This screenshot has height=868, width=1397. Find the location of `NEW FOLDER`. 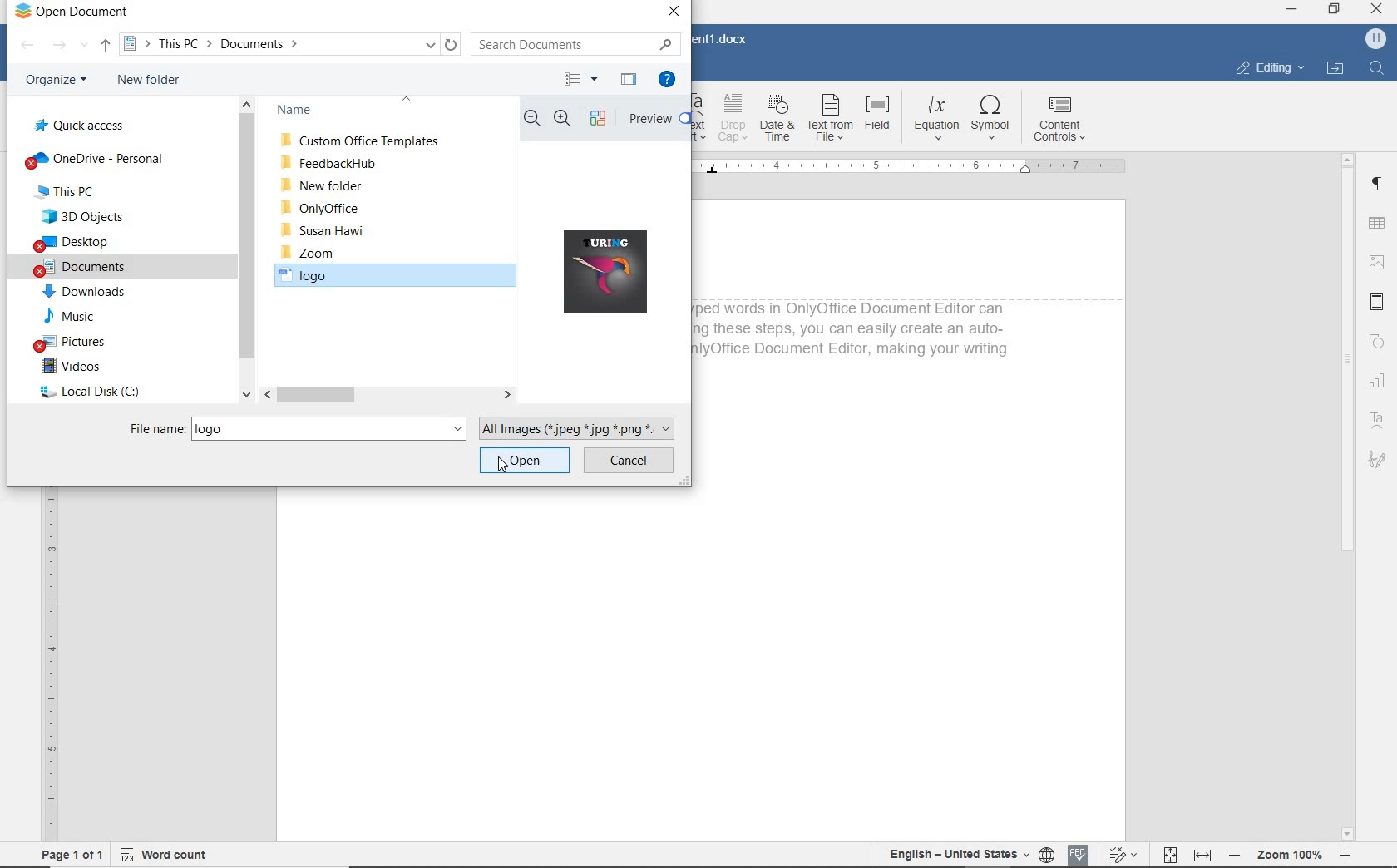

NEW FOLDER is located at coordinates (150, 81).